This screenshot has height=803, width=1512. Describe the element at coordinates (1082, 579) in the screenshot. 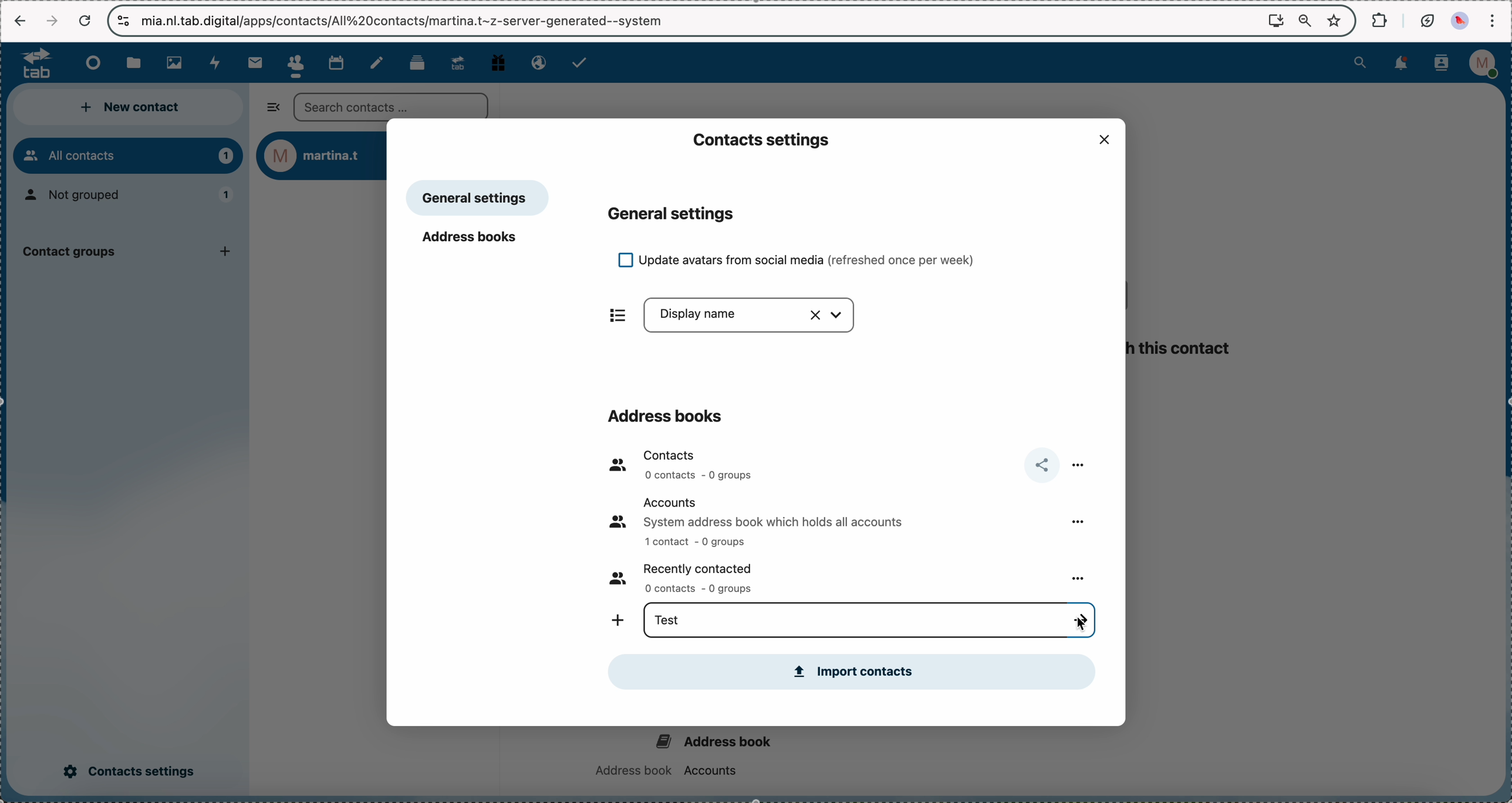

I see `more options` at that location.